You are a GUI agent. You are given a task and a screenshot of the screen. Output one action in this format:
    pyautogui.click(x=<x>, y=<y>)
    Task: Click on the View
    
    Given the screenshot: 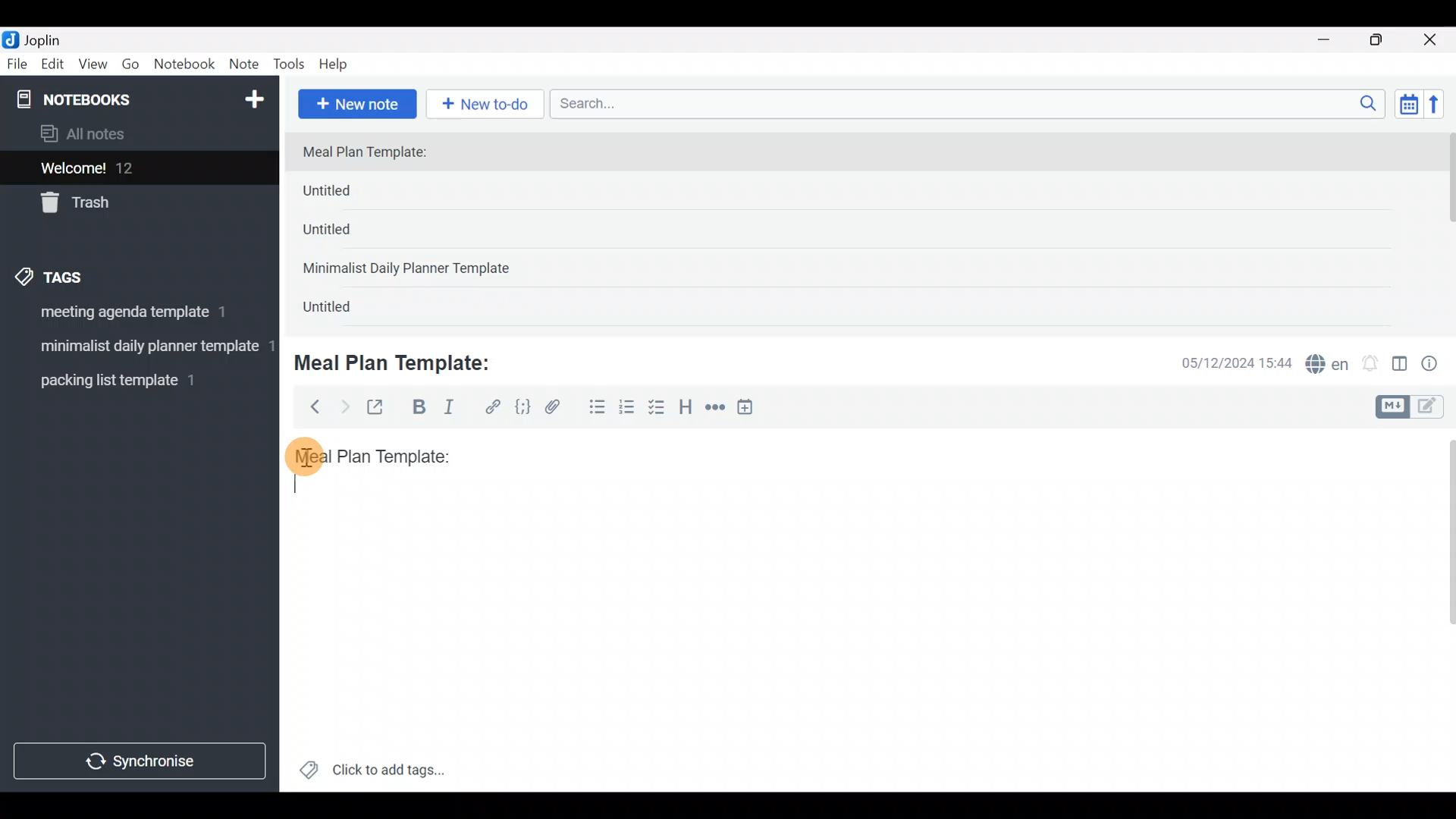 What is the action you would take?
    pyautogui.click(x=93, y=67)
    